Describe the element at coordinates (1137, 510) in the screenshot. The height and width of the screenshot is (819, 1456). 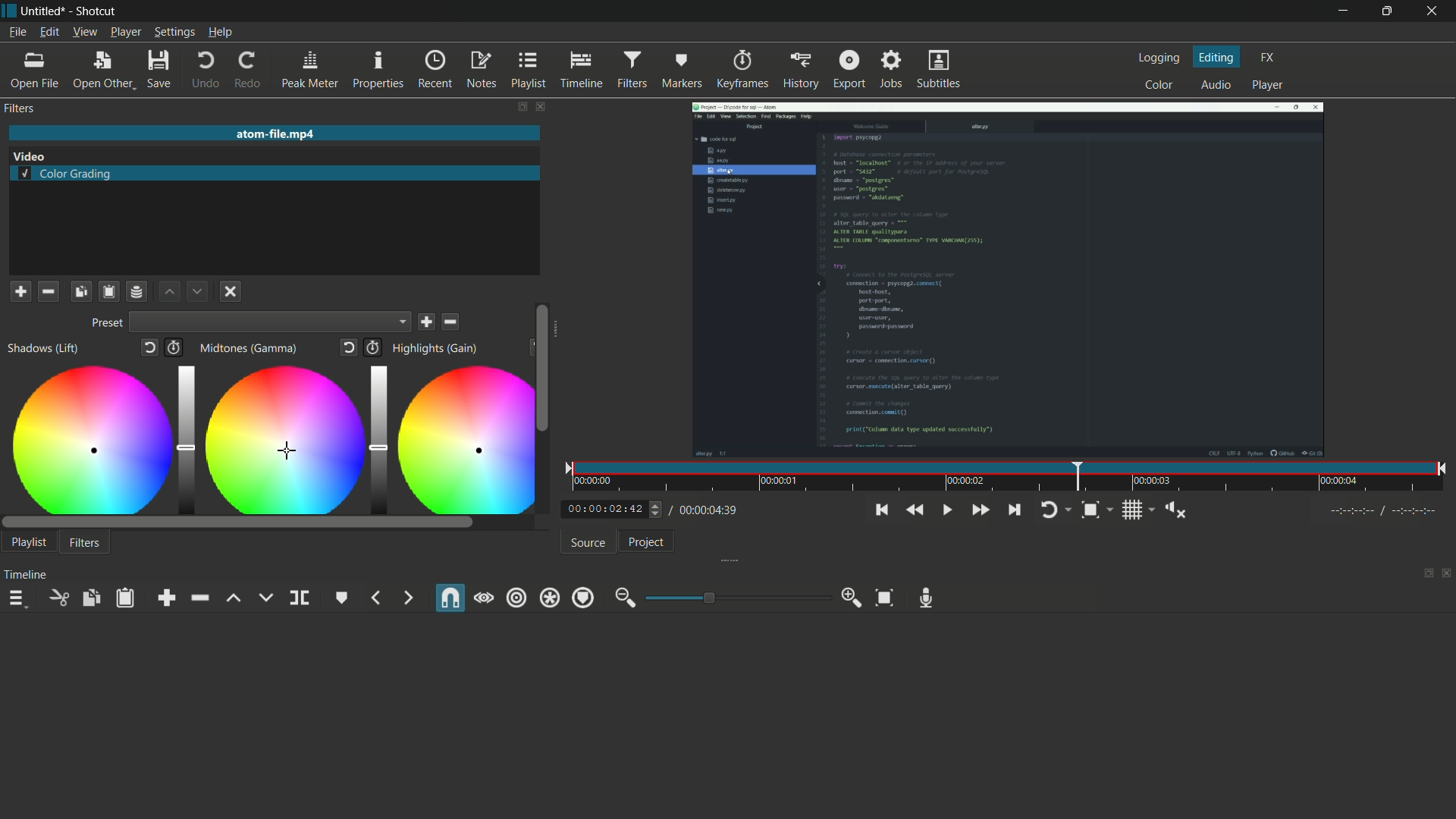
I see `toggle grid` at that location.